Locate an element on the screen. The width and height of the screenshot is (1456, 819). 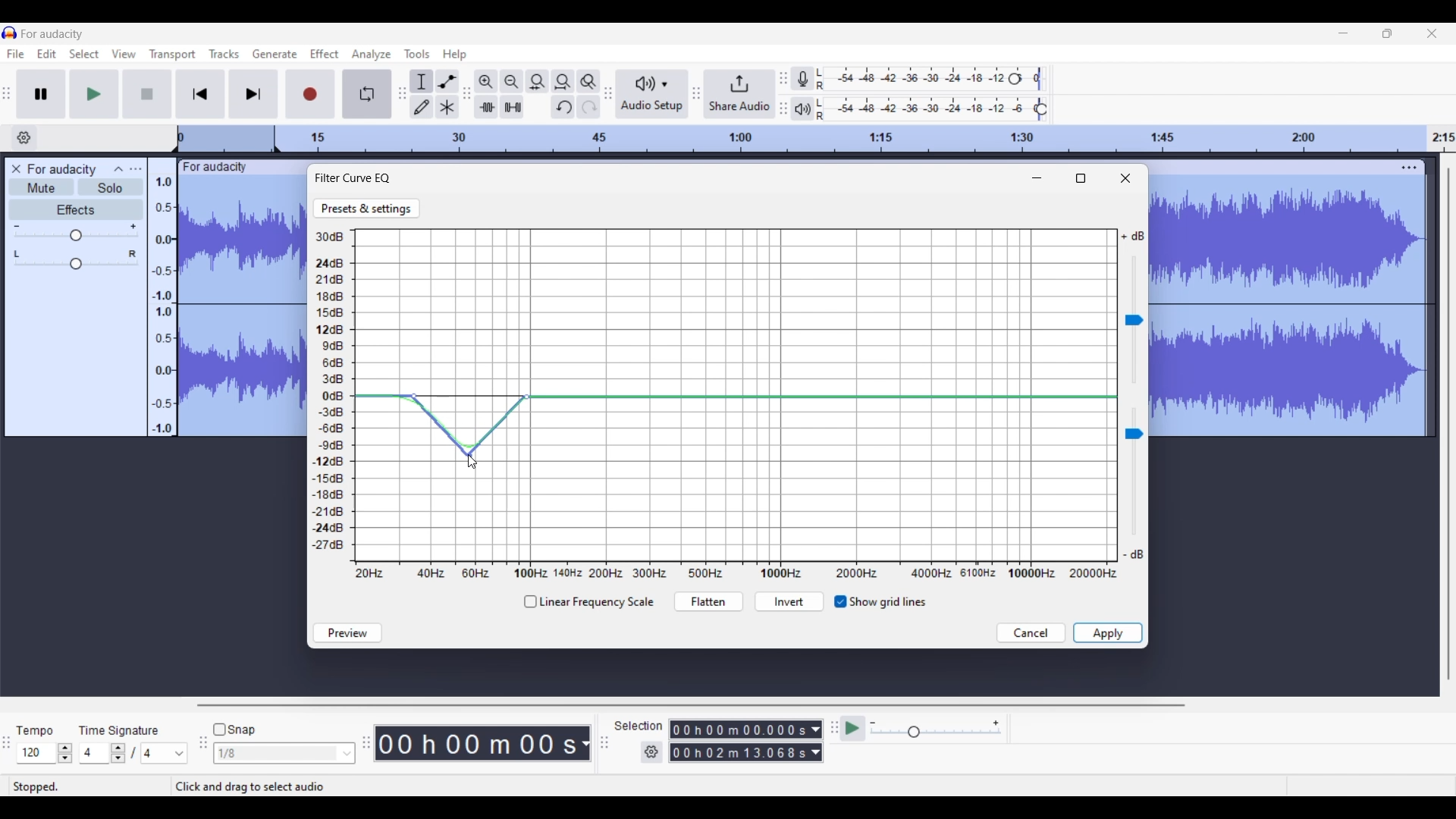
View menu is located at coordinates (124, 54).